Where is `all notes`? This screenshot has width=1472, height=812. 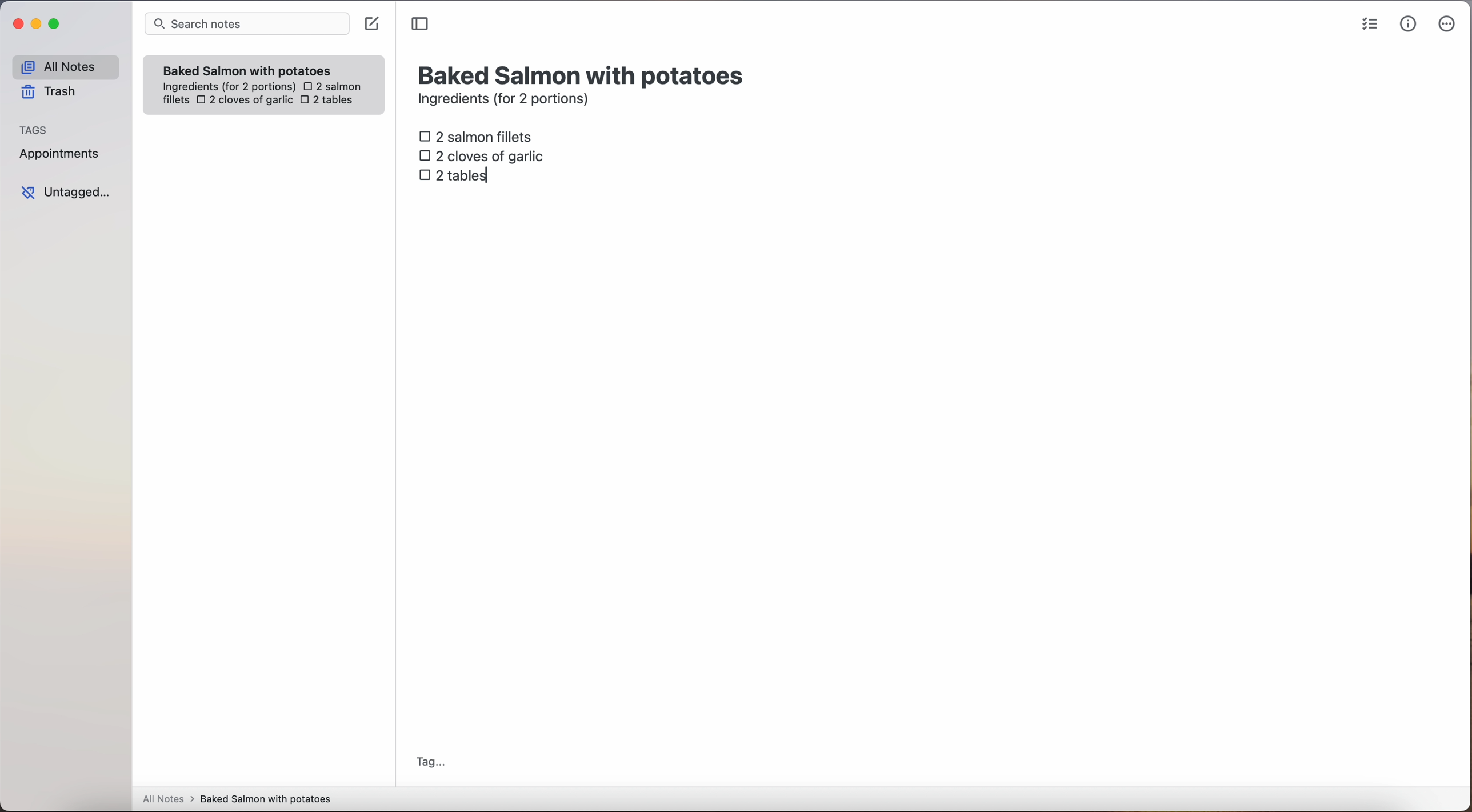
all notes is located at coordinates (65, 66).